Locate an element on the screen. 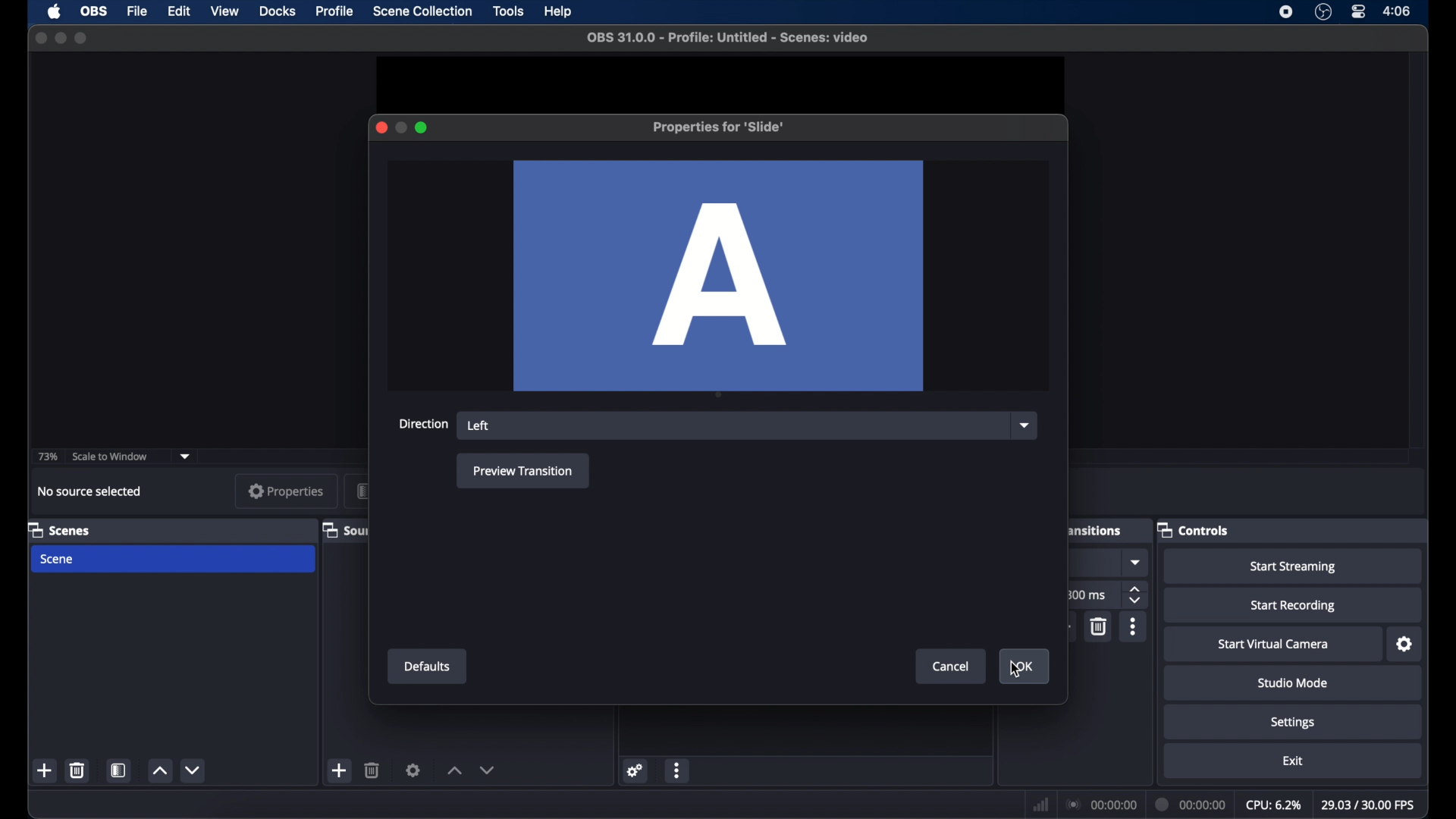 The image size is (1456, 819). scene transitions is located at coordinates (1100, 529).